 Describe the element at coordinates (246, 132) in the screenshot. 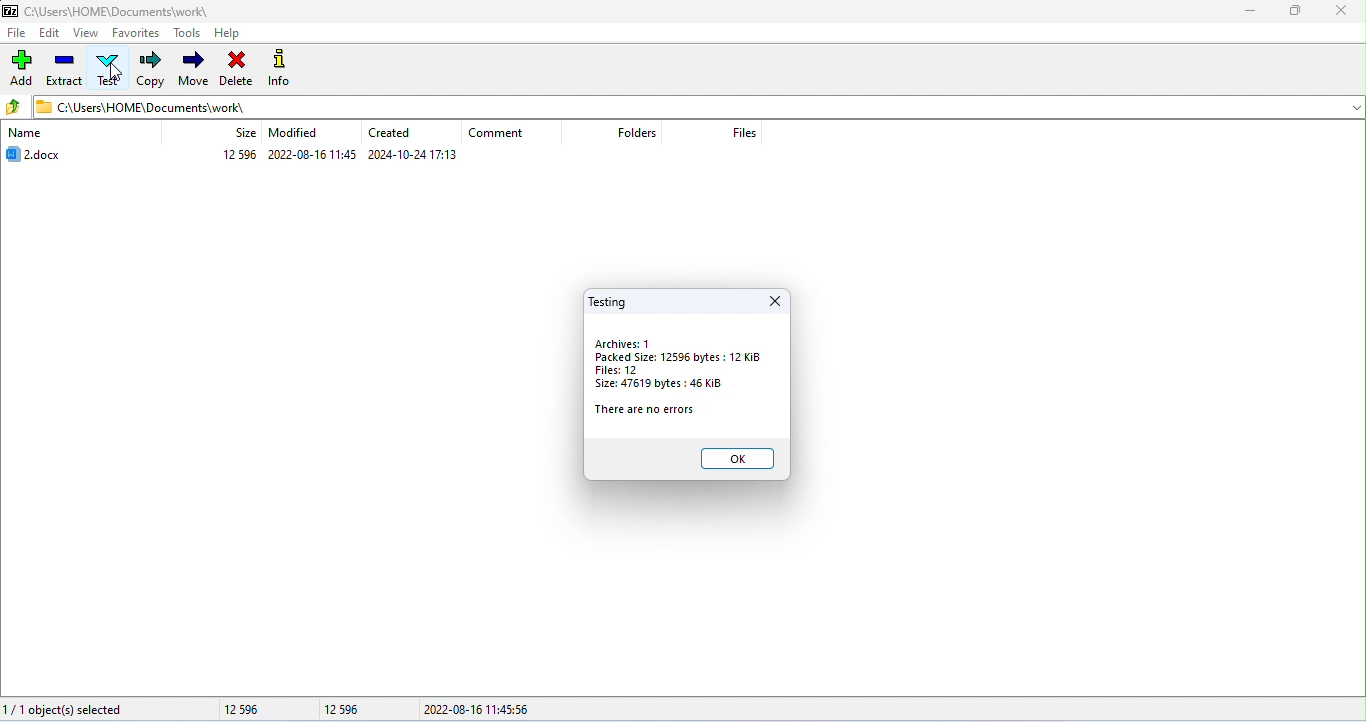

I see `size` at that location.